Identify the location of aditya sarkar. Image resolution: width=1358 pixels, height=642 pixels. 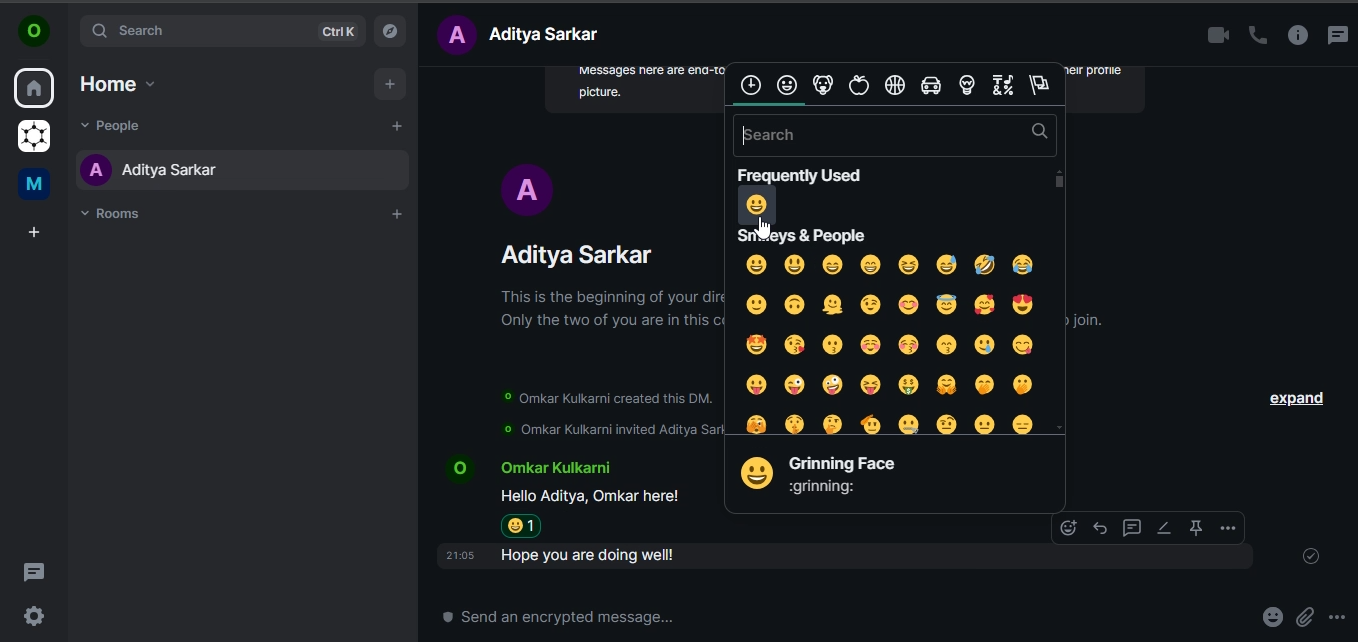
(157, 175).